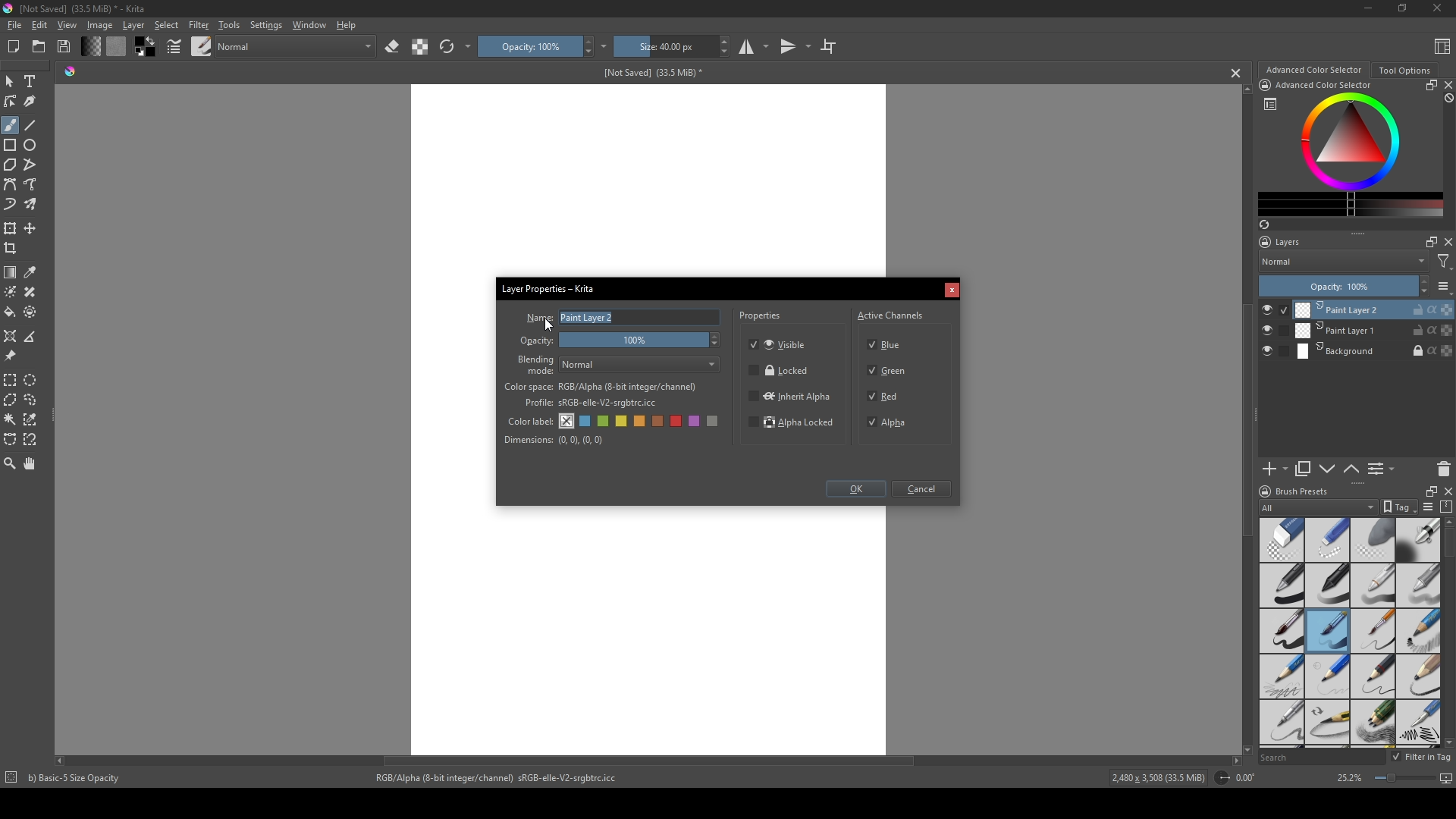  Describe the element at coordinates (1348, 779) in the screenshot. I see `25.2%` at that location.